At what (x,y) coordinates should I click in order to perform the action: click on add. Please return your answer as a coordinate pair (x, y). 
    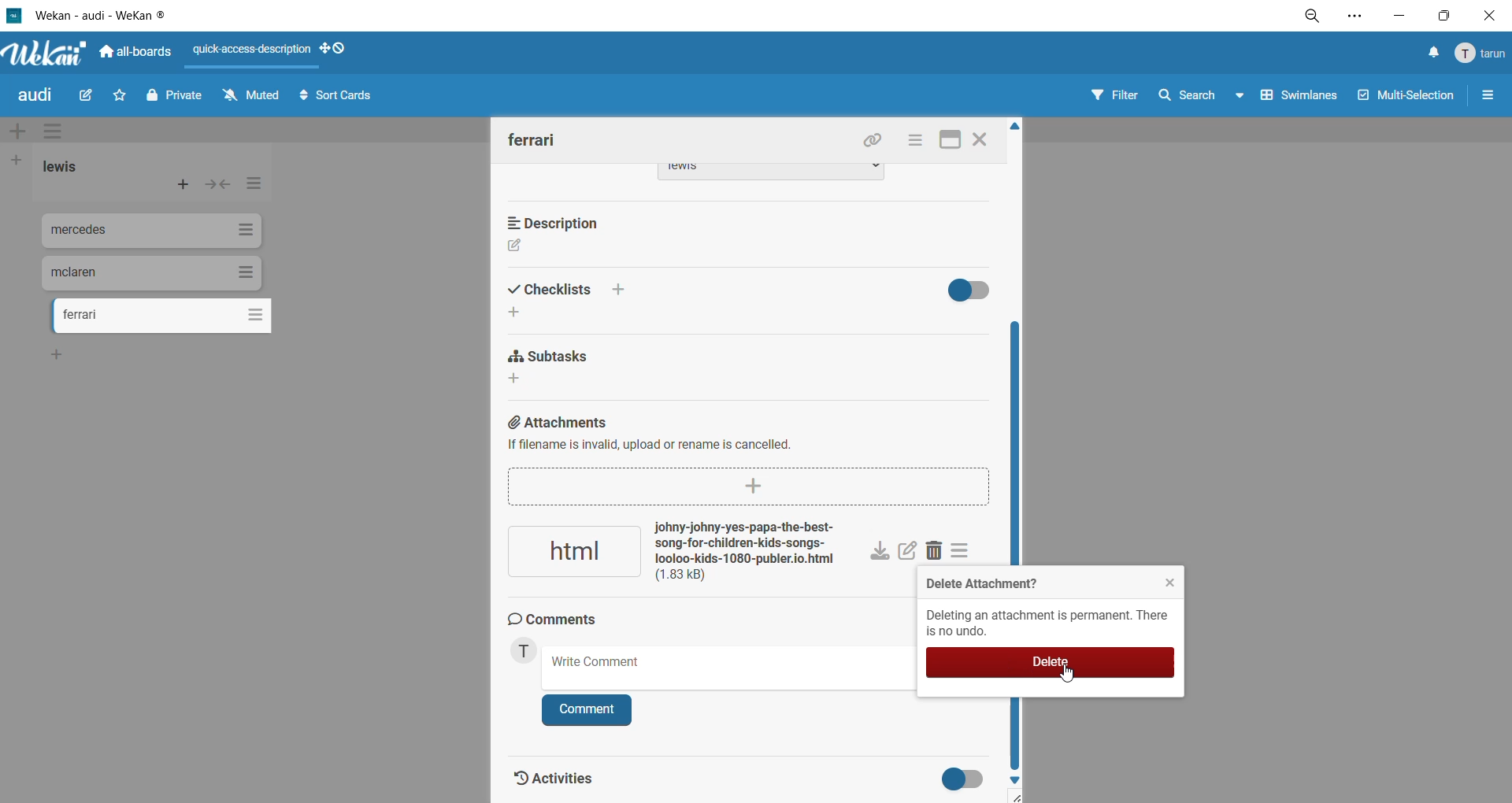
    Looking at the image, I should click on (65, 354).